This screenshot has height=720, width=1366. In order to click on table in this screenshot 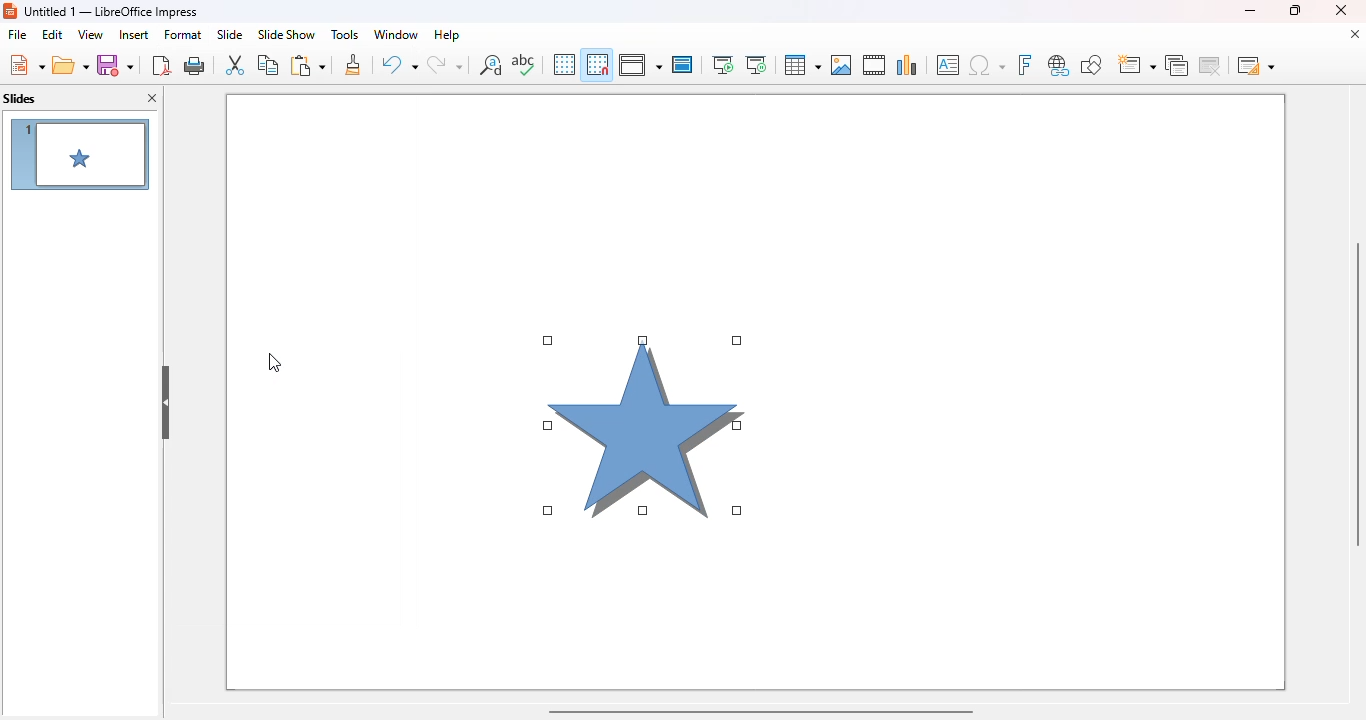, I will do `click(801, 65)`.